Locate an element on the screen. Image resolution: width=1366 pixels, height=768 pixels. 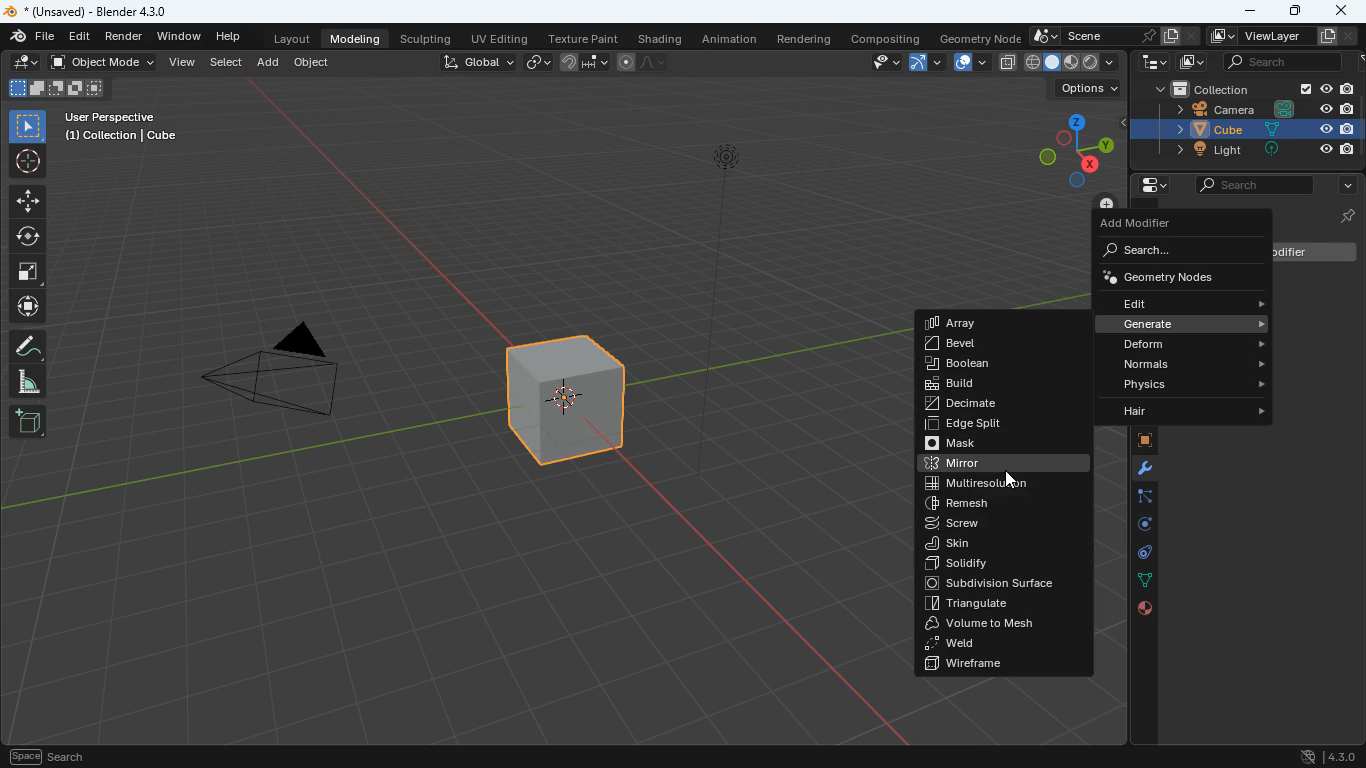
rendering is located at coordinates (804, 38).